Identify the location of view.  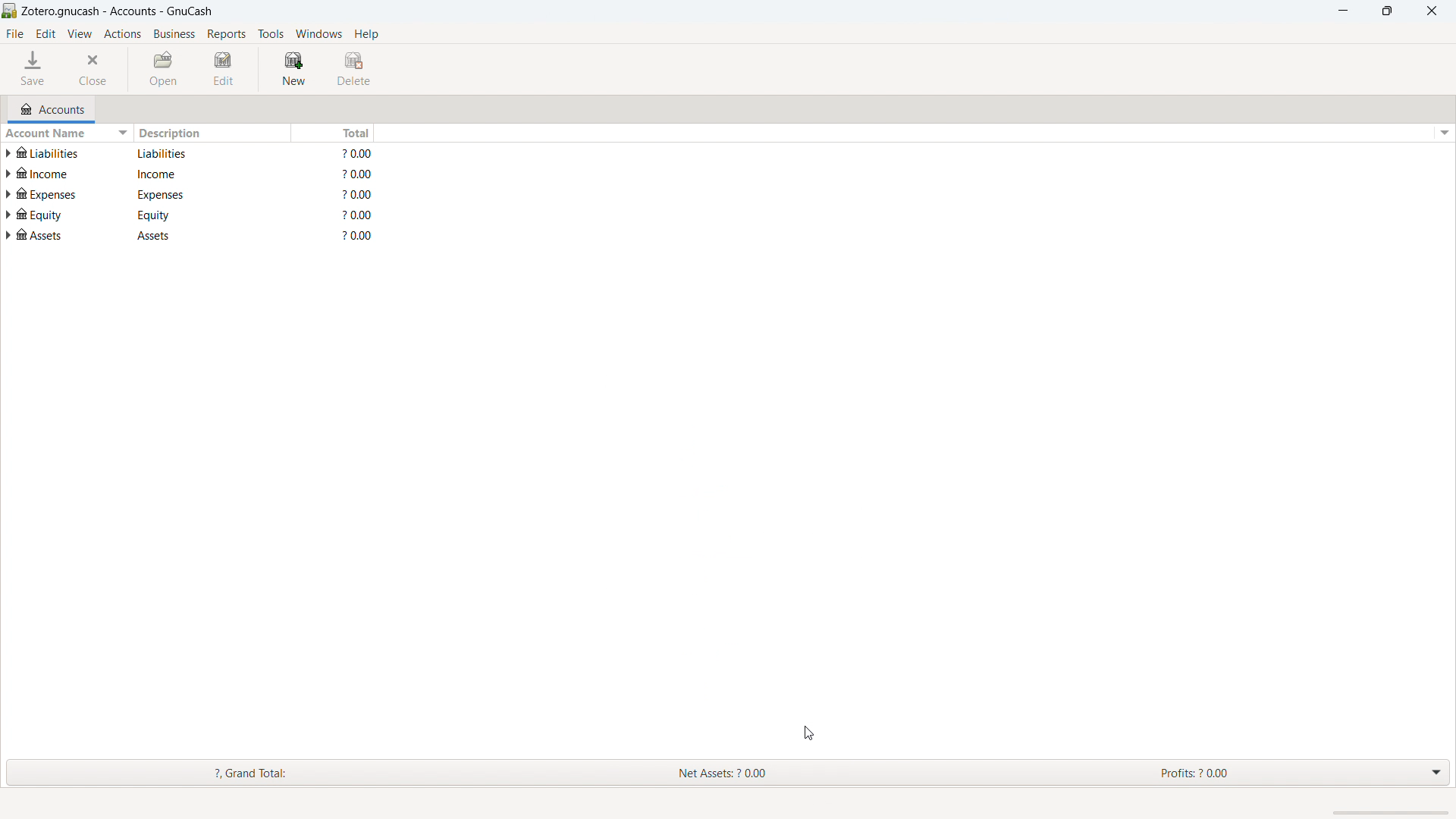
(80, 35).